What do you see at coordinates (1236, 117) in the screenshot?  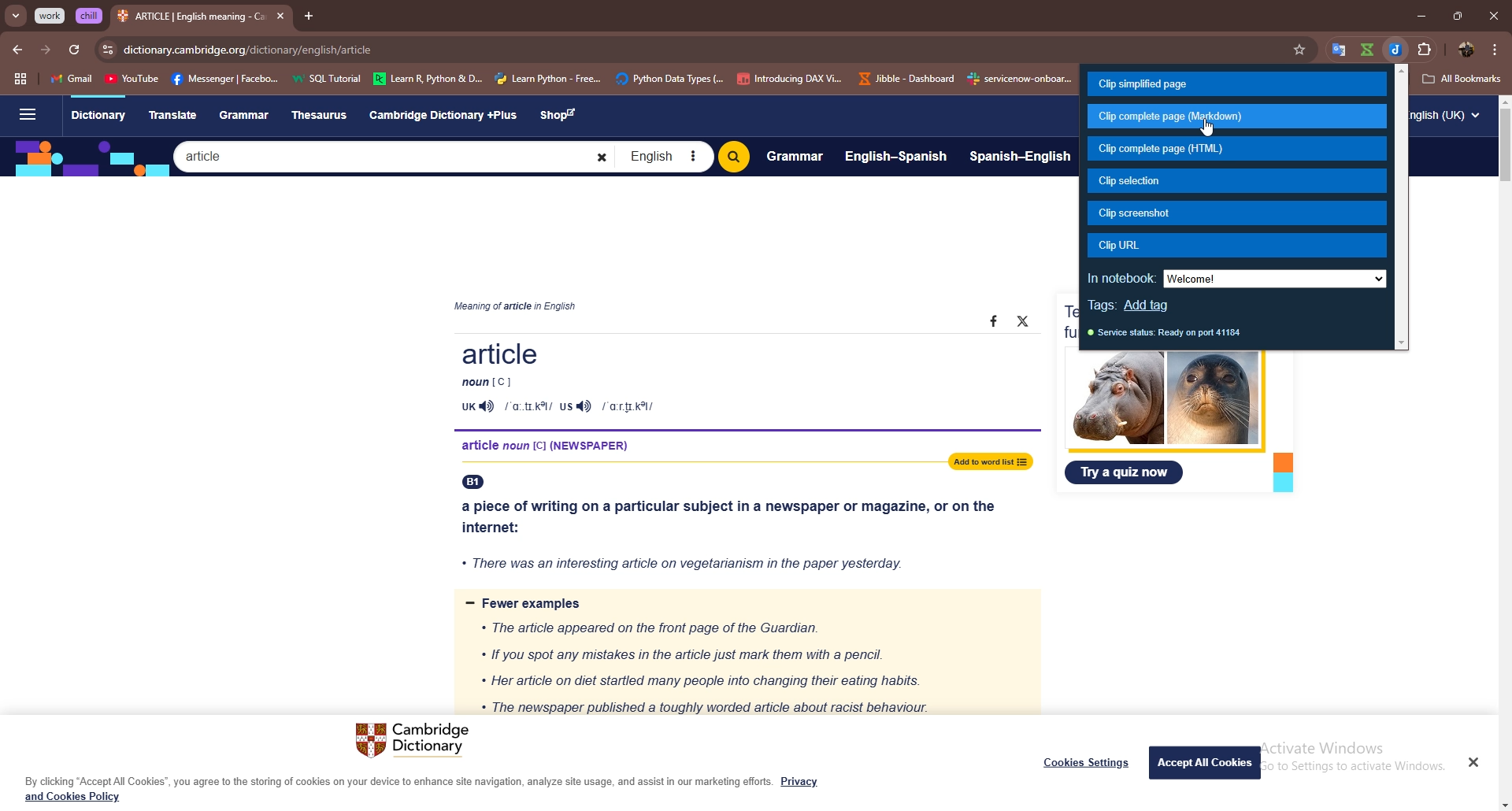 I see `clip complete page (markdown)` at bounding box center [1236, 117].